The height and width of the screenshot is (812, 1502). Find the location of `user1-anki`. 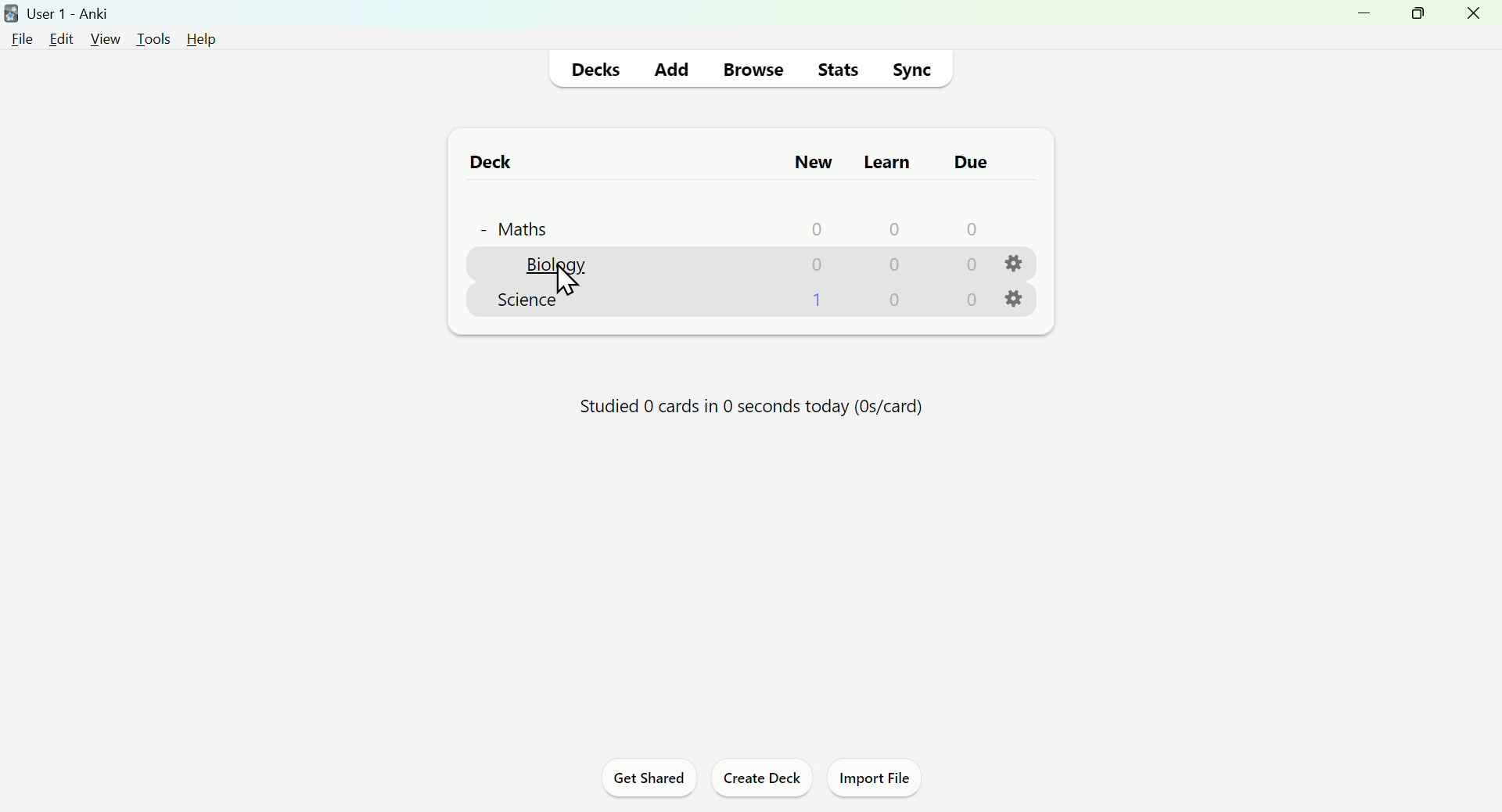

user1-anki is located at coordinates (58, 13).